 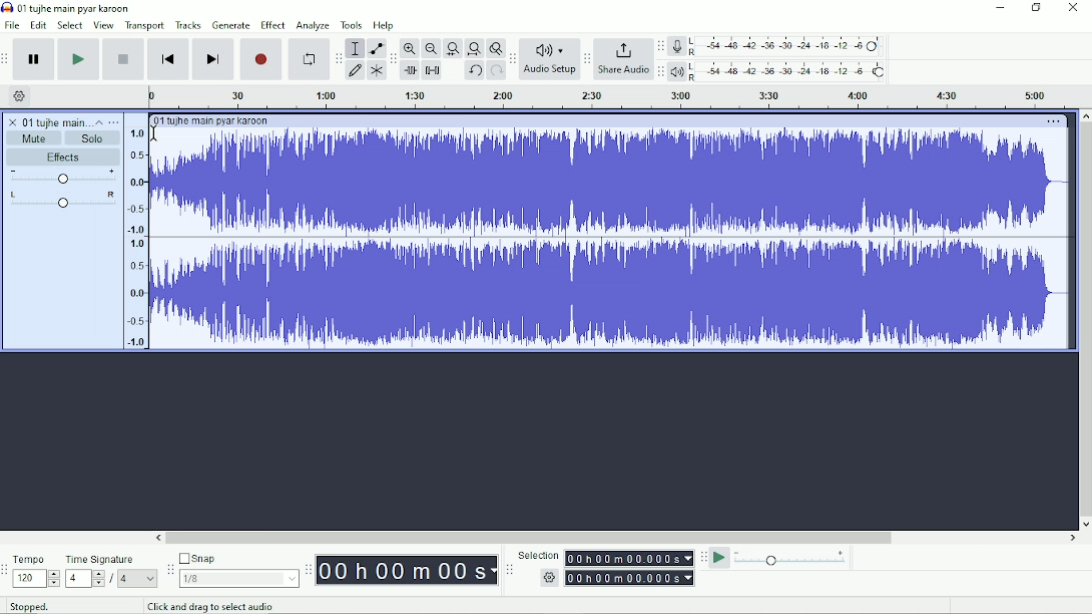 I want to click on Tracks, so click(x=188, y=25).